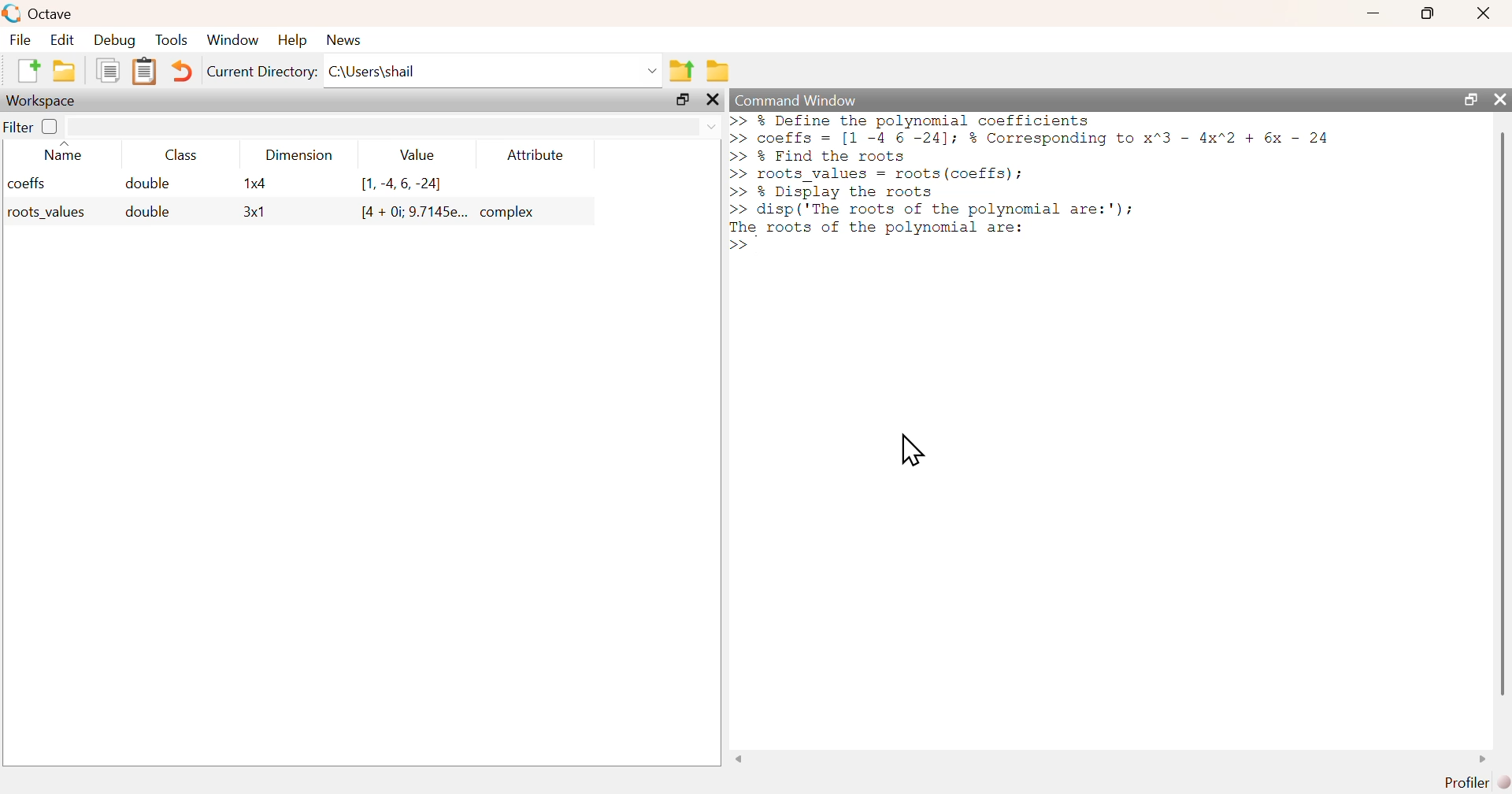 Image resolution: width=1512 pixels, height=794 pixels. What do you see at coordinates (414, 154) in the screenshot?
I see `Value` at bounding box center [414, 154].